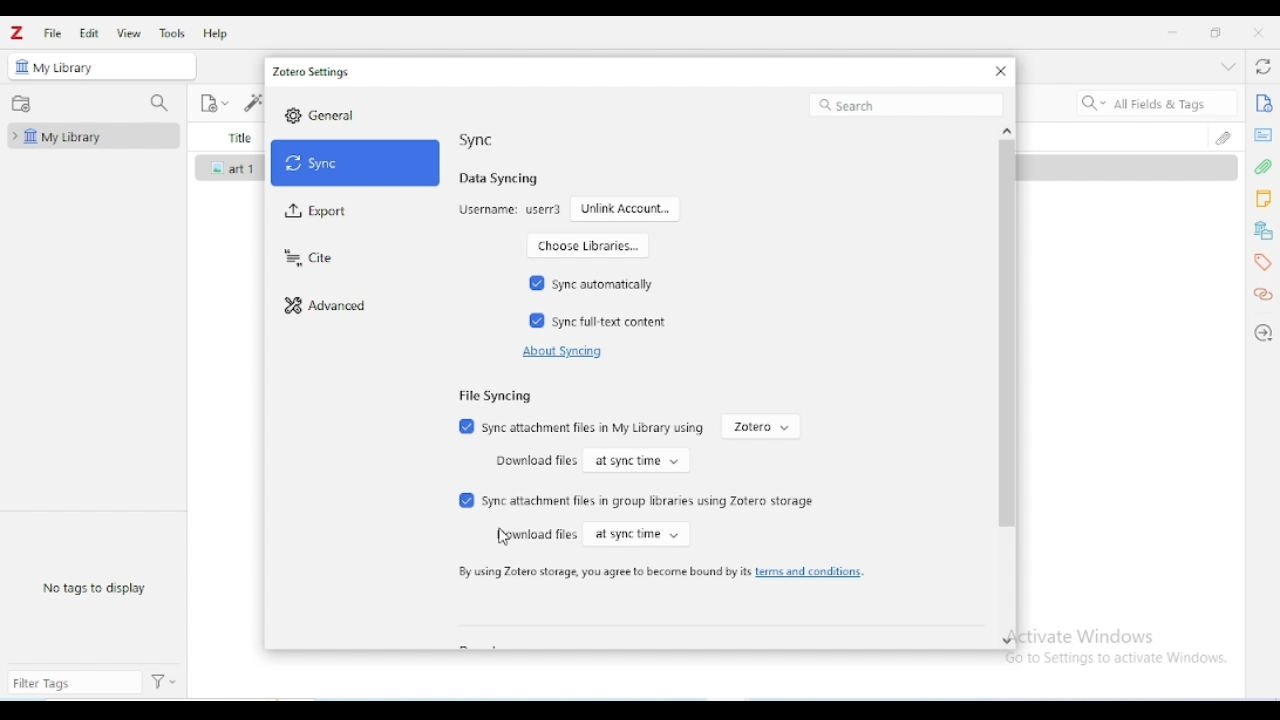 This screenshot has width=1280, height=720. I want to click on related, so click(1263, 295).